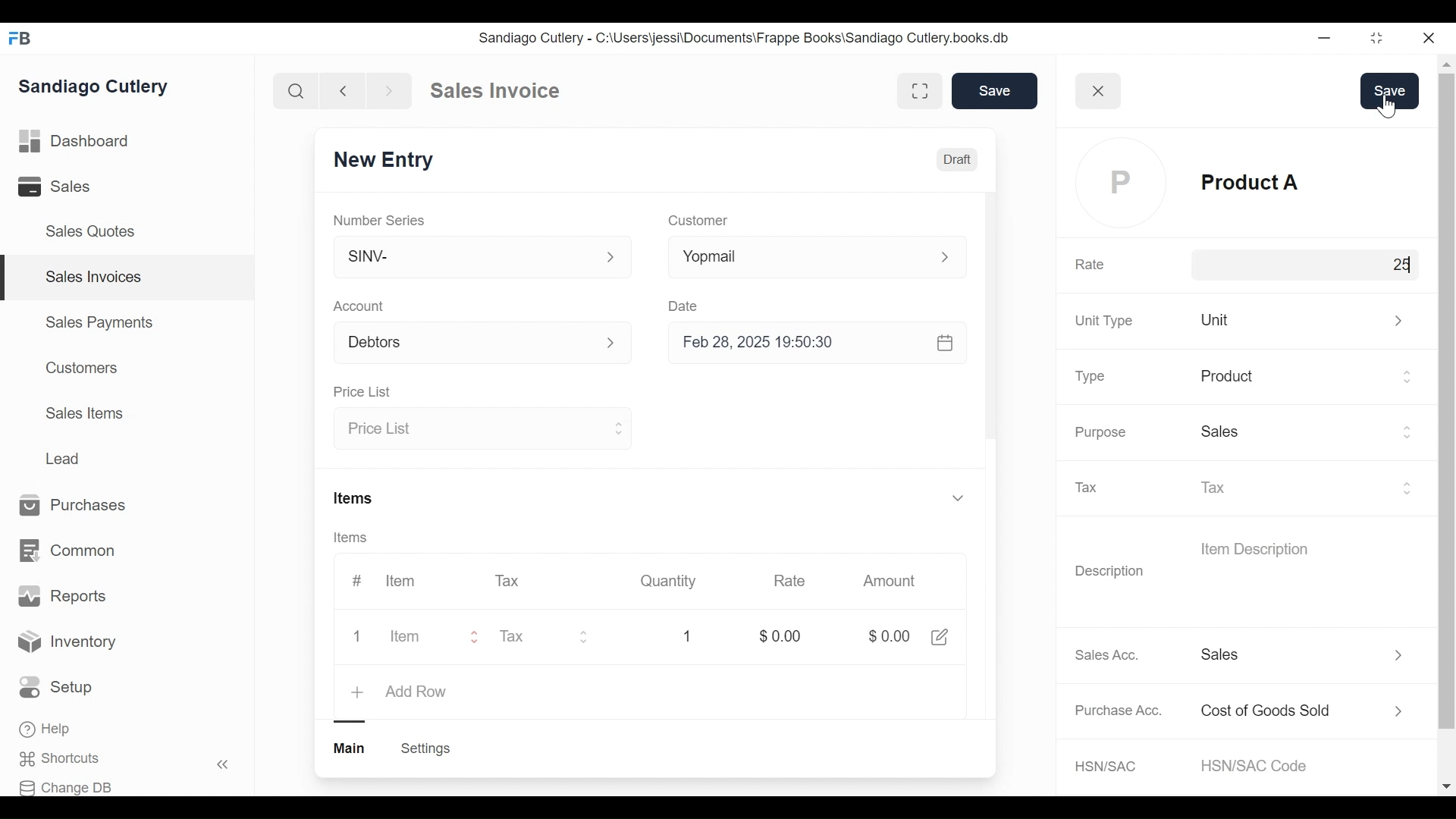 This screenshot has height=819, width=1456. Describe the element at coordinates (75, 140) in the screenshot. I see `Dashboard` at that location.